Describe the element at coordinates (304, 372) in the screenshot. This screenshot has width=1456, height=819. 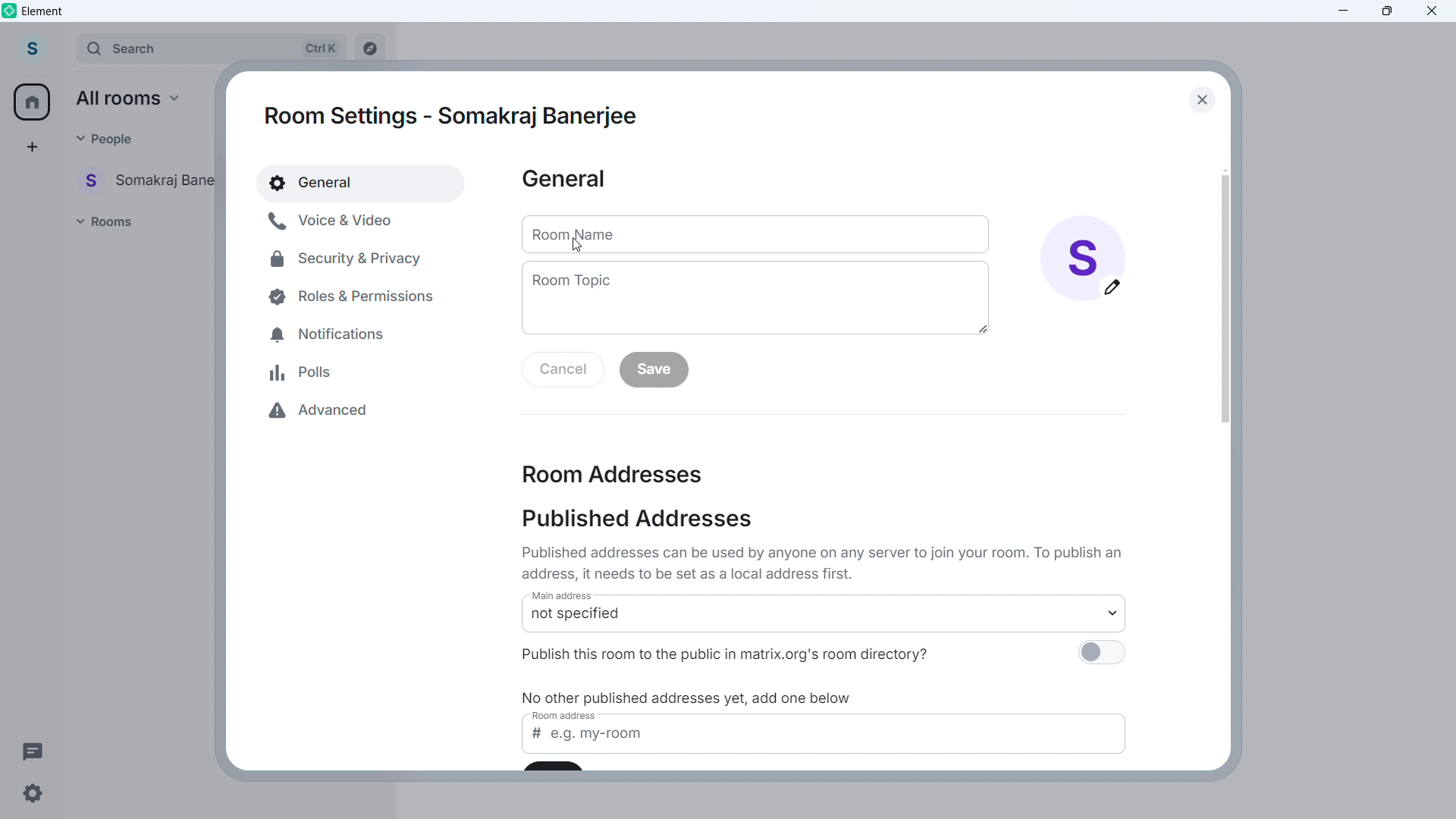
I see `Polls ` at that location.